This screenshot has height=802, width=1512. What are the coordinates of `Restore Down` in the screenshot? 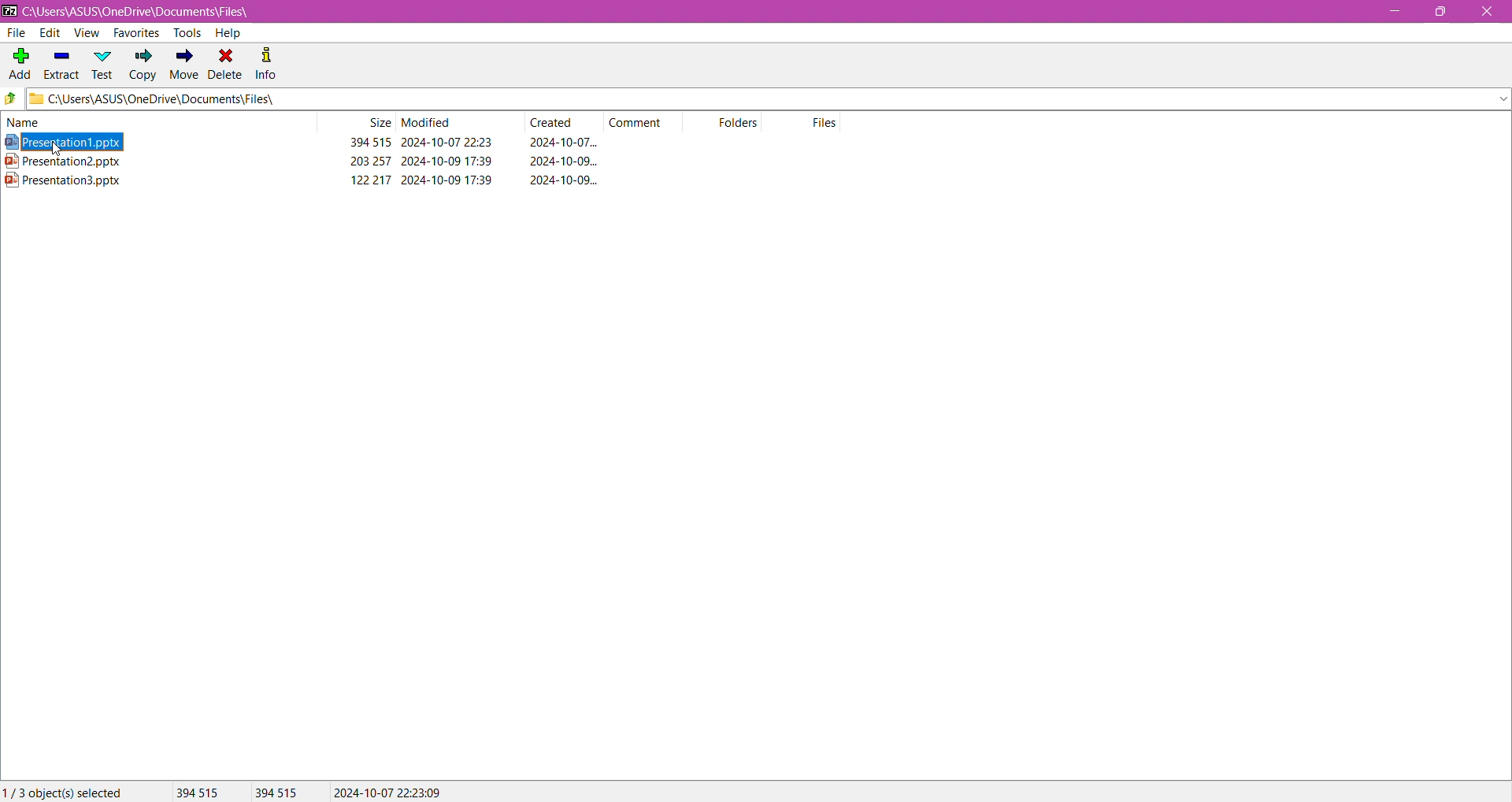 It's located at (1446, 11).